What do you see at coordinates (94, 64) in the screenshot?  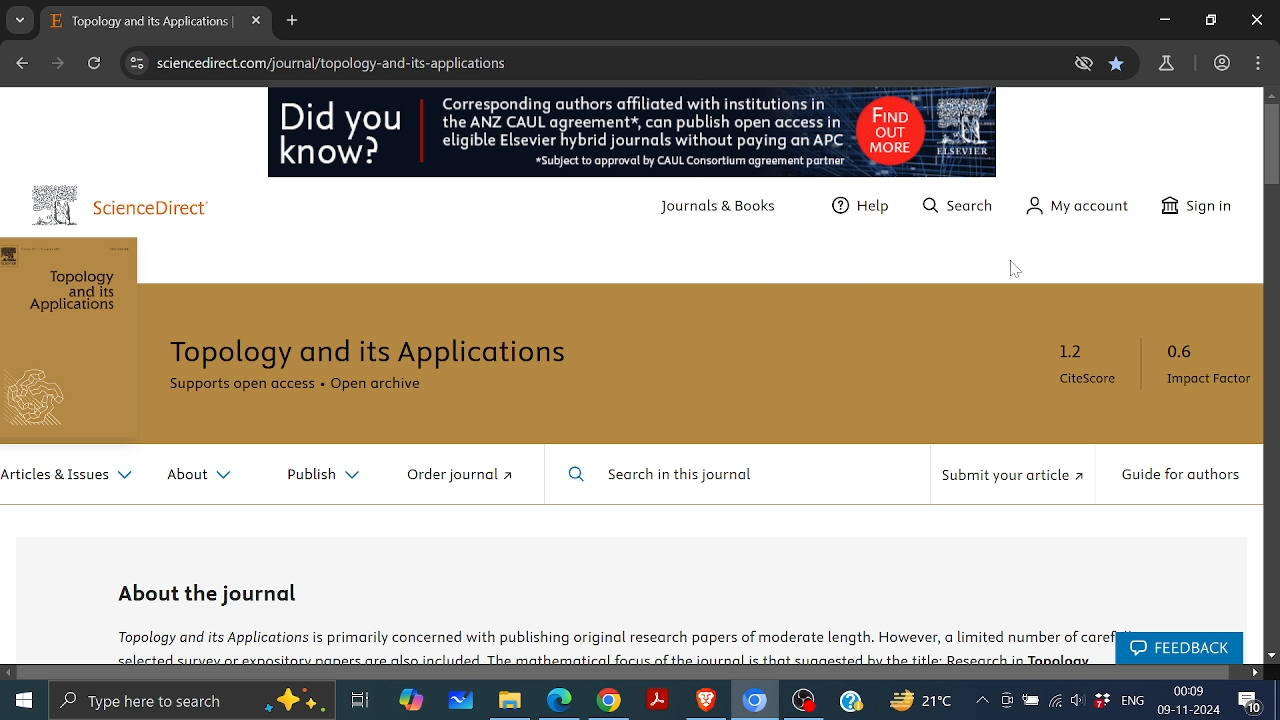 I see `Reload` at bounding box center [94, 64].